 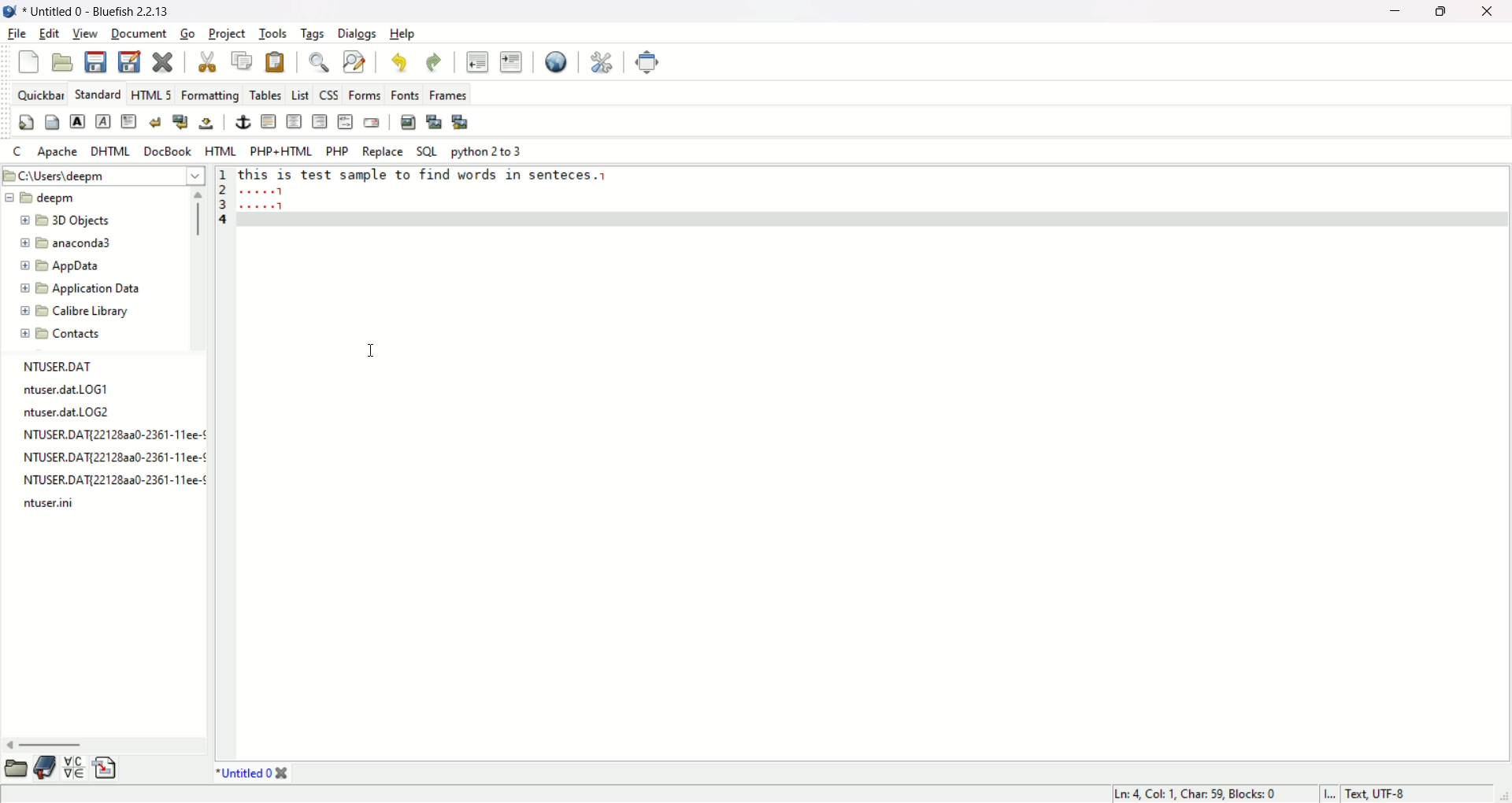 What do you see at coordinates (45, 769) in the screenshot?
I see `bookmarks` at bounding box center [45, 769].